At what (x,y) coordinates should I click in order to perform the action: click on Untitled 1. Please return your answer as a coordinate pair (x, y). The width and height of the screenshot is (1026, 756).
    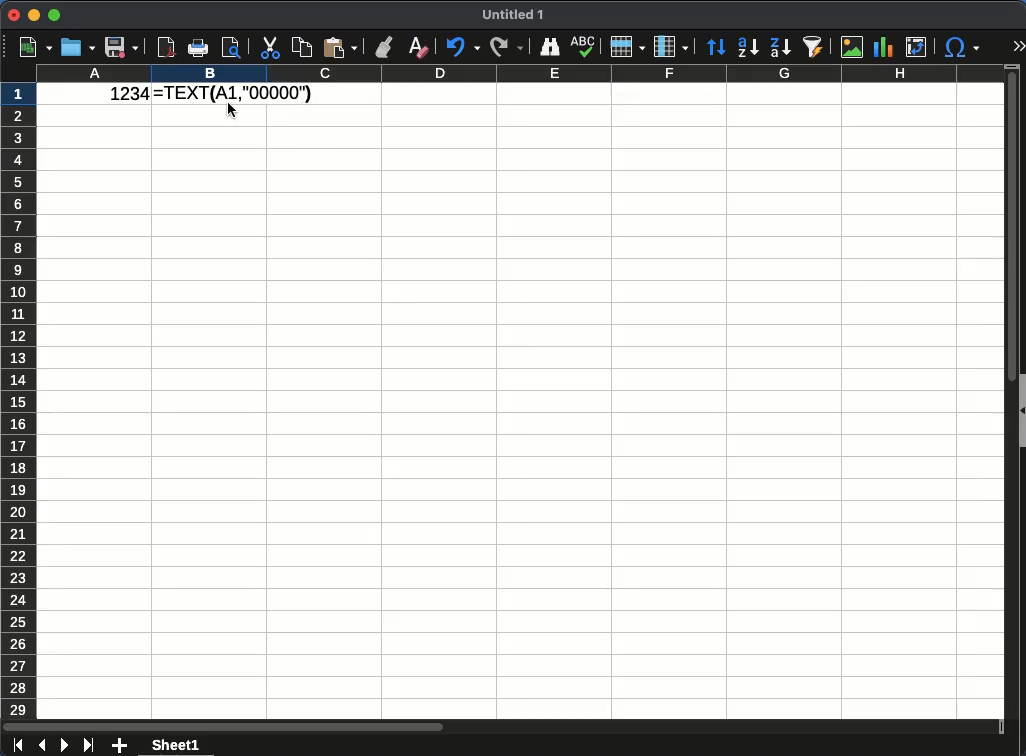
    Looking at the image, I should click on (514, 15).